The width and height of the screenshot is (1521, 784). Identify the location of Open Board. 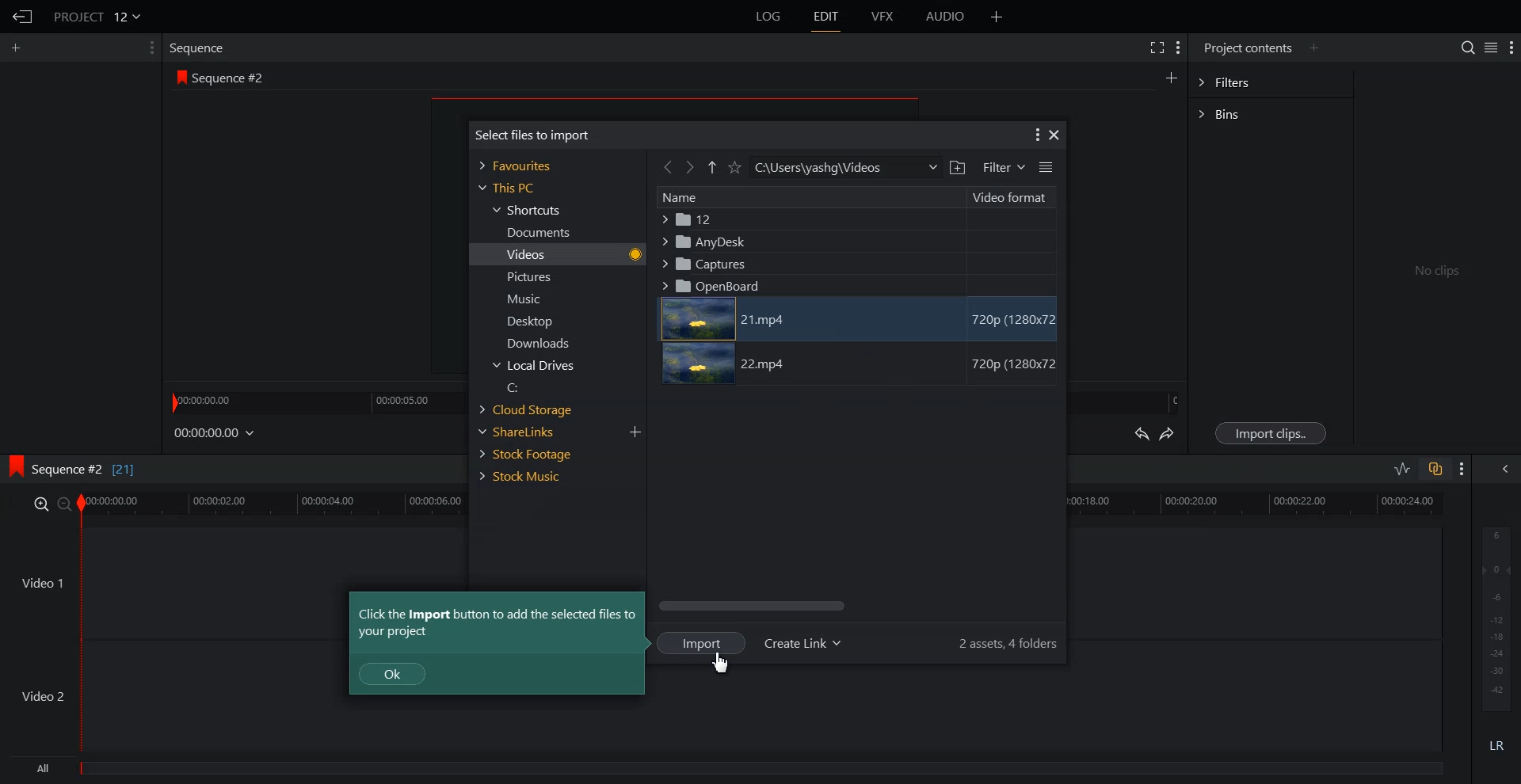
(854, 285).